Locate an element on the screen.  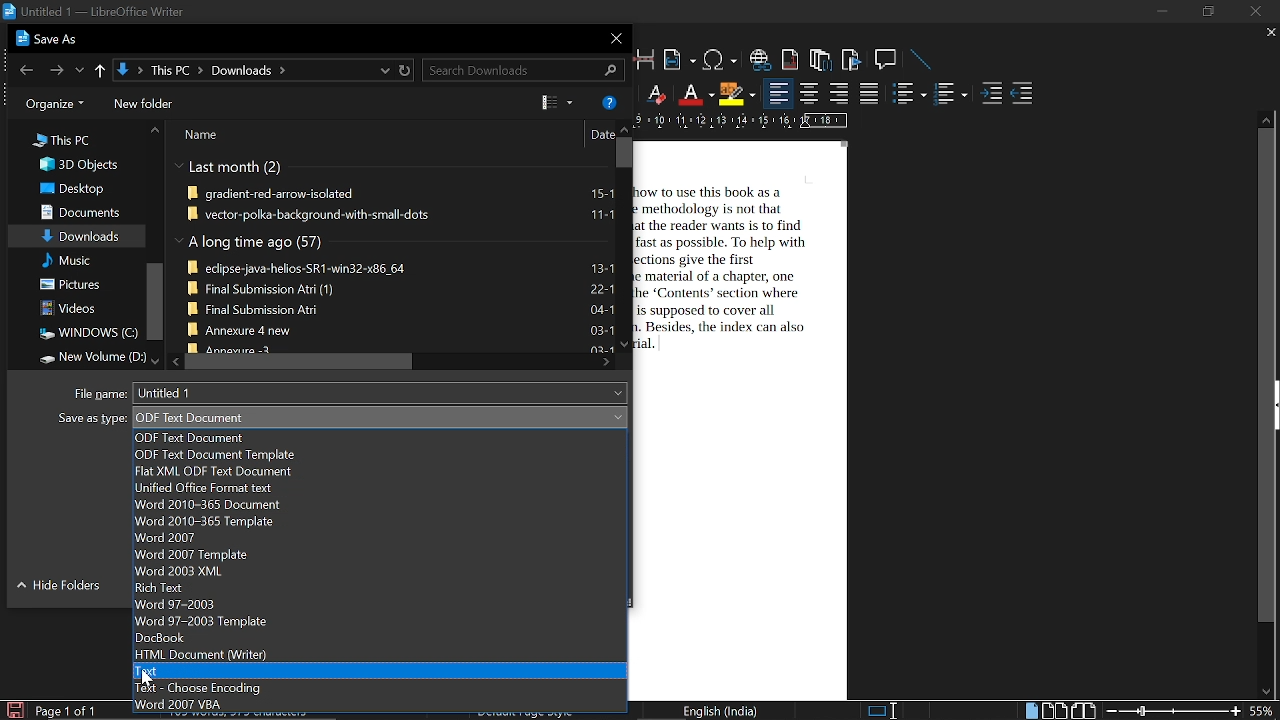
A long time ago (57) is located at coordinates (252, 243).